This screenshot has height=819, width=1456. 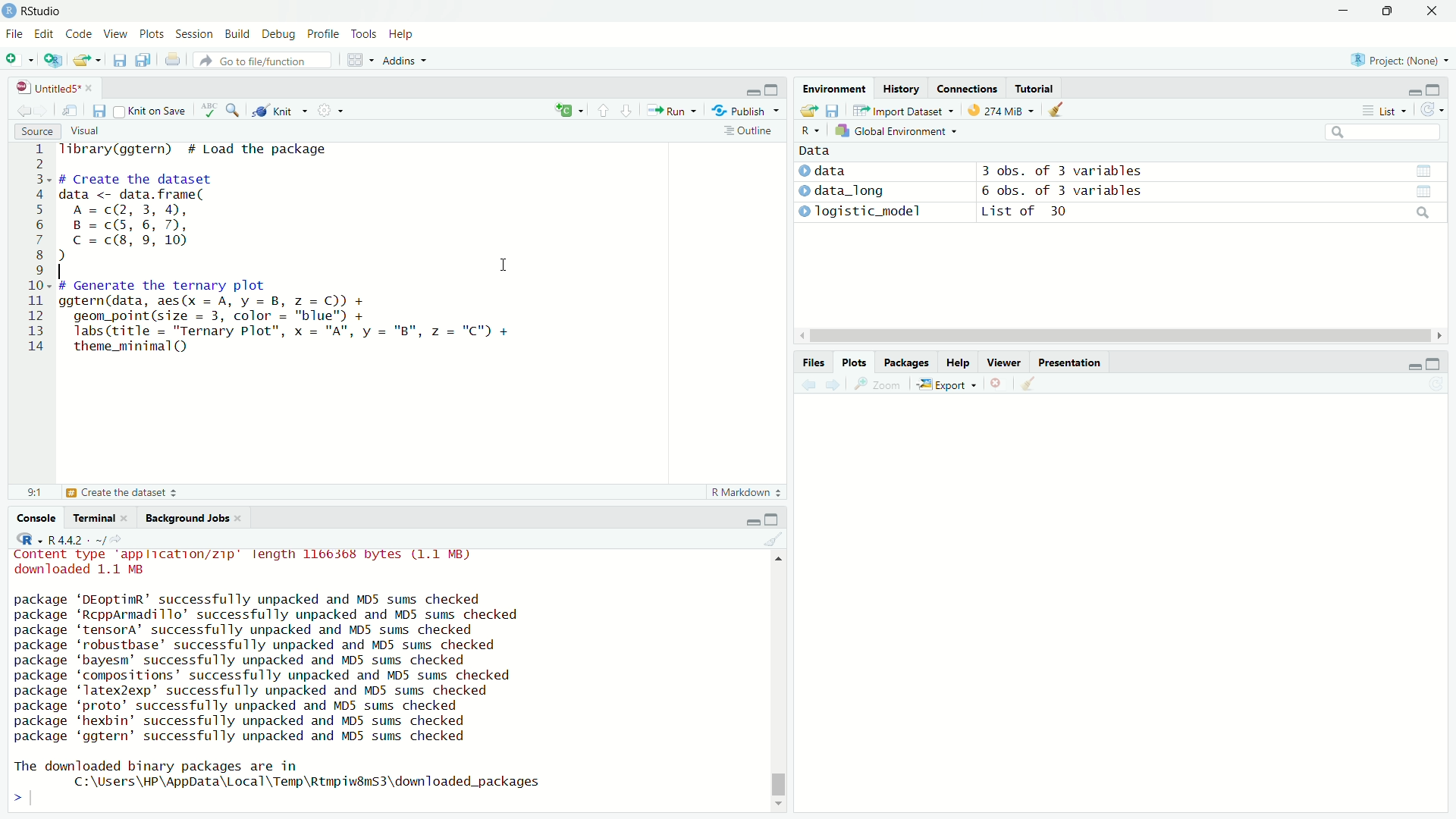 What do you see at coordinates (281, 111) in the screenshot?
I see `Knit` at bounding box center [281, 111].